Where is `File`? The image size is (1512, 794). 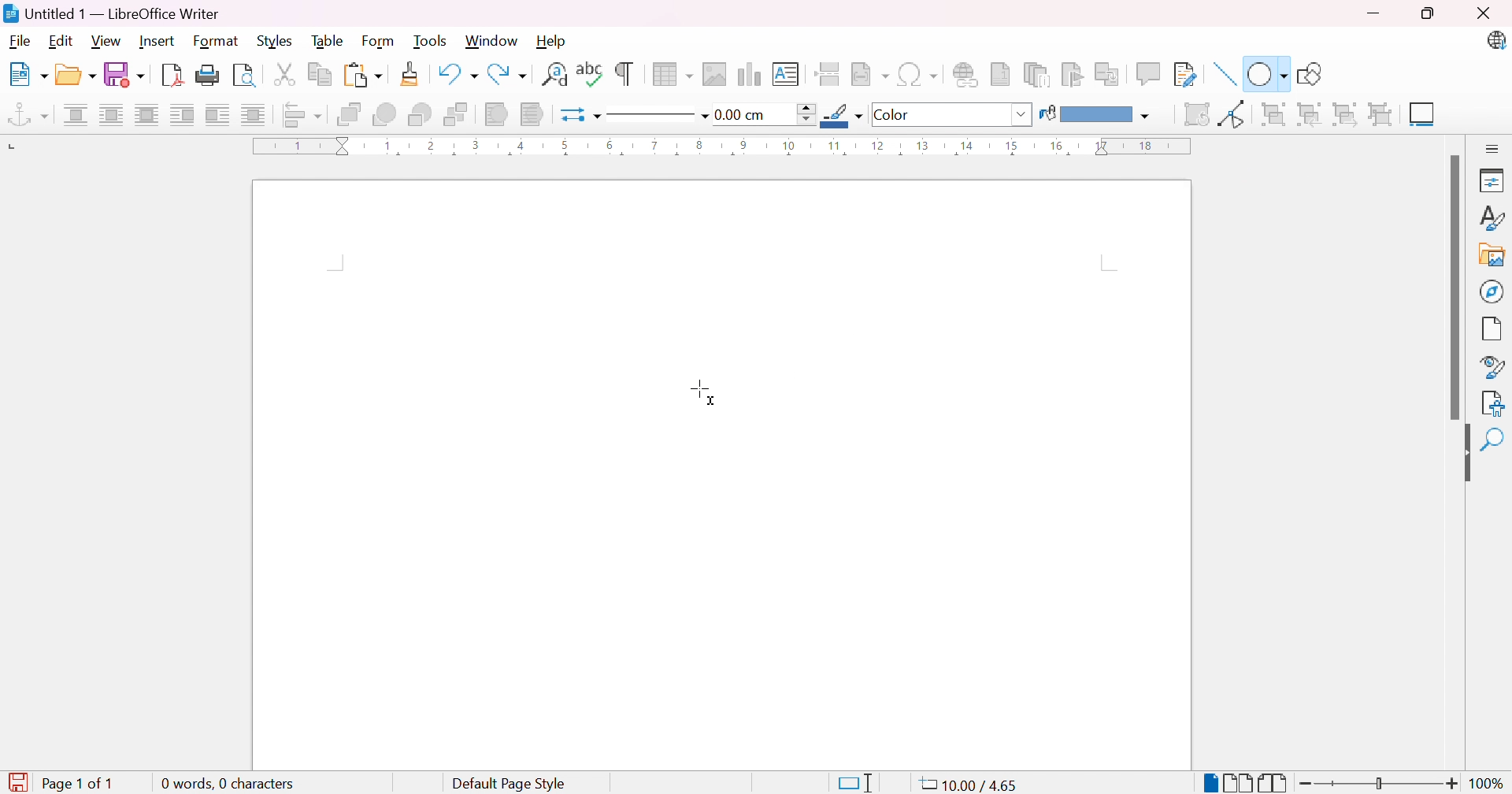
File is located at coordinates (20, 43).